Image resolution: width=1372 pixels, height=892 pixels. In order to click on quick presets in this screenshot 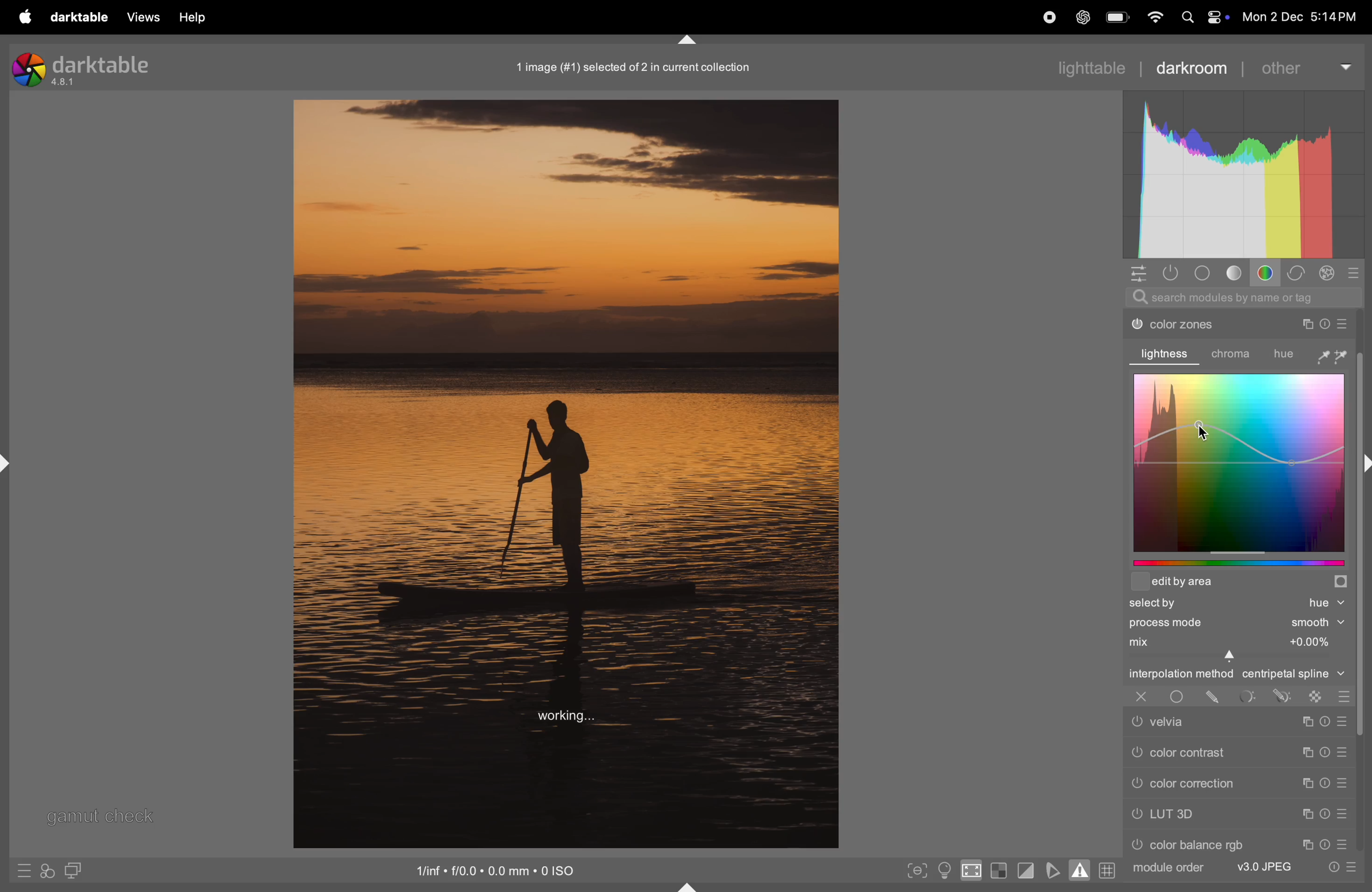, I will do `click(25, 870)`.